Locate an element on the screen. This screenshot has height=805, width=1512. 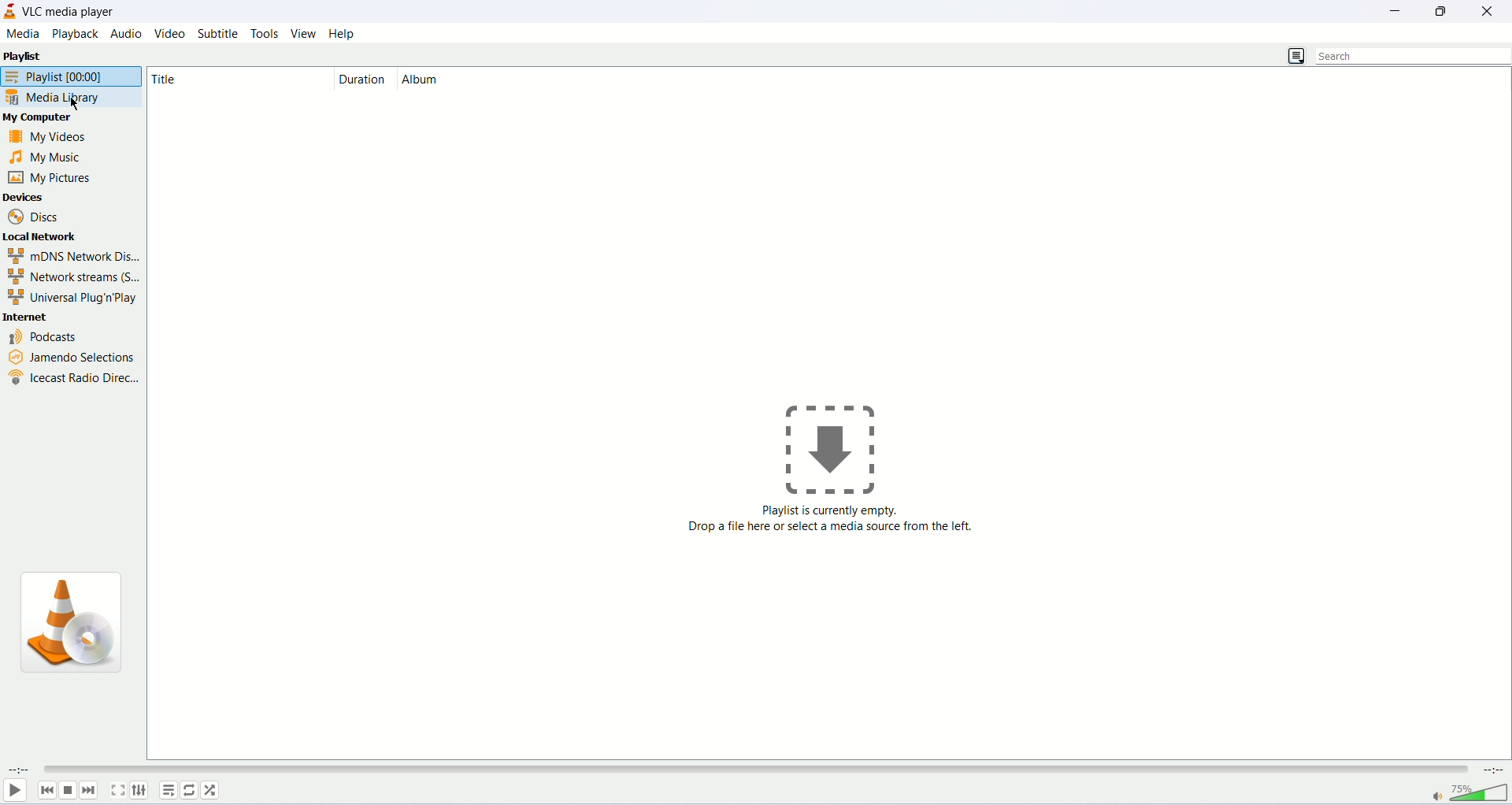
my videos is located at coordinates (61, 135).